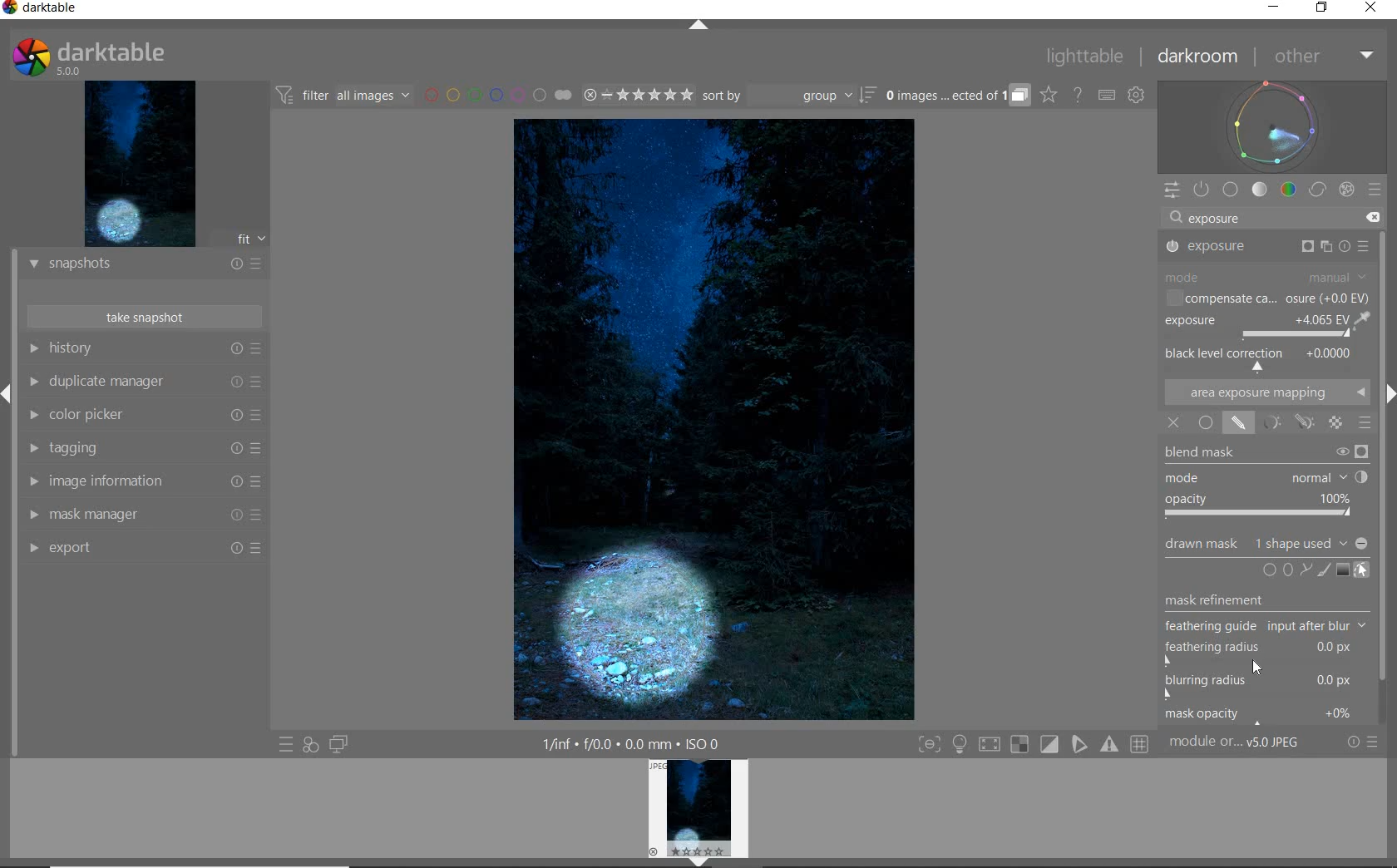 This screenshot has height=868, width=1397. Describe the element at coordinates (1136, 95) in the screenshot. I see `SHOW GLOBAL PREFERENCES` at that location.